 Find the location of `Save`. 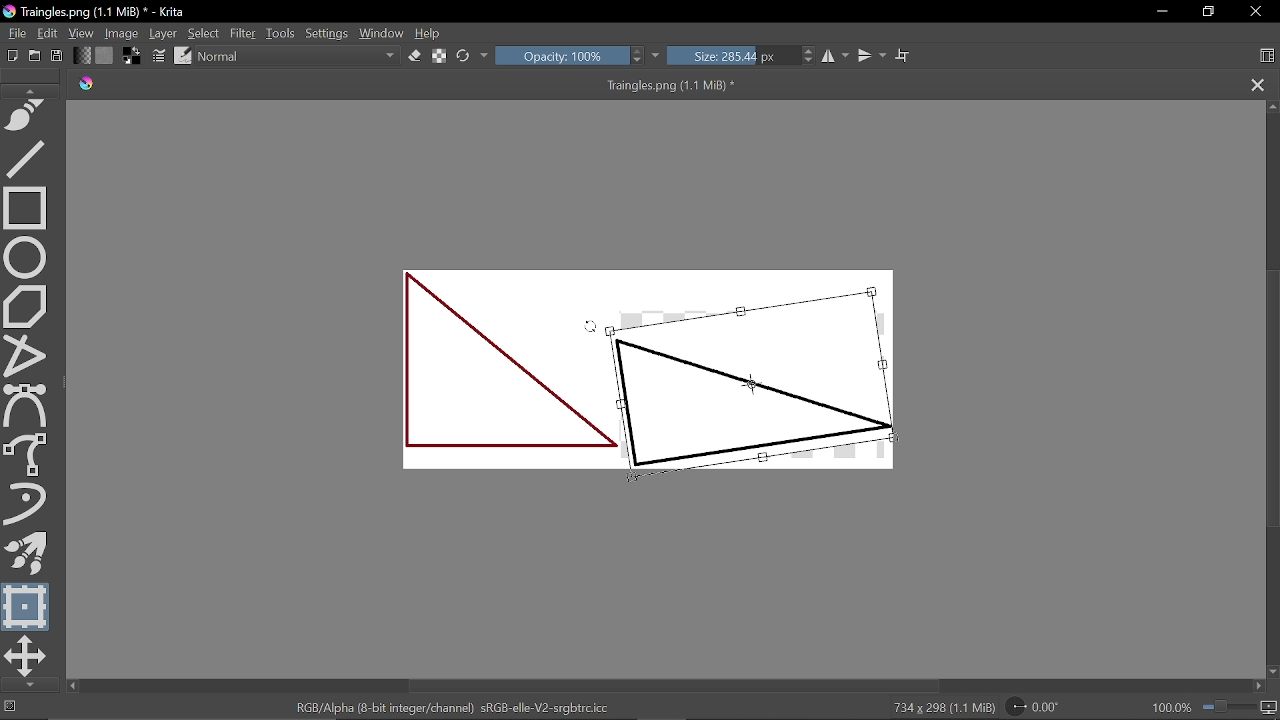

Save is located at coordinates (56, 57).